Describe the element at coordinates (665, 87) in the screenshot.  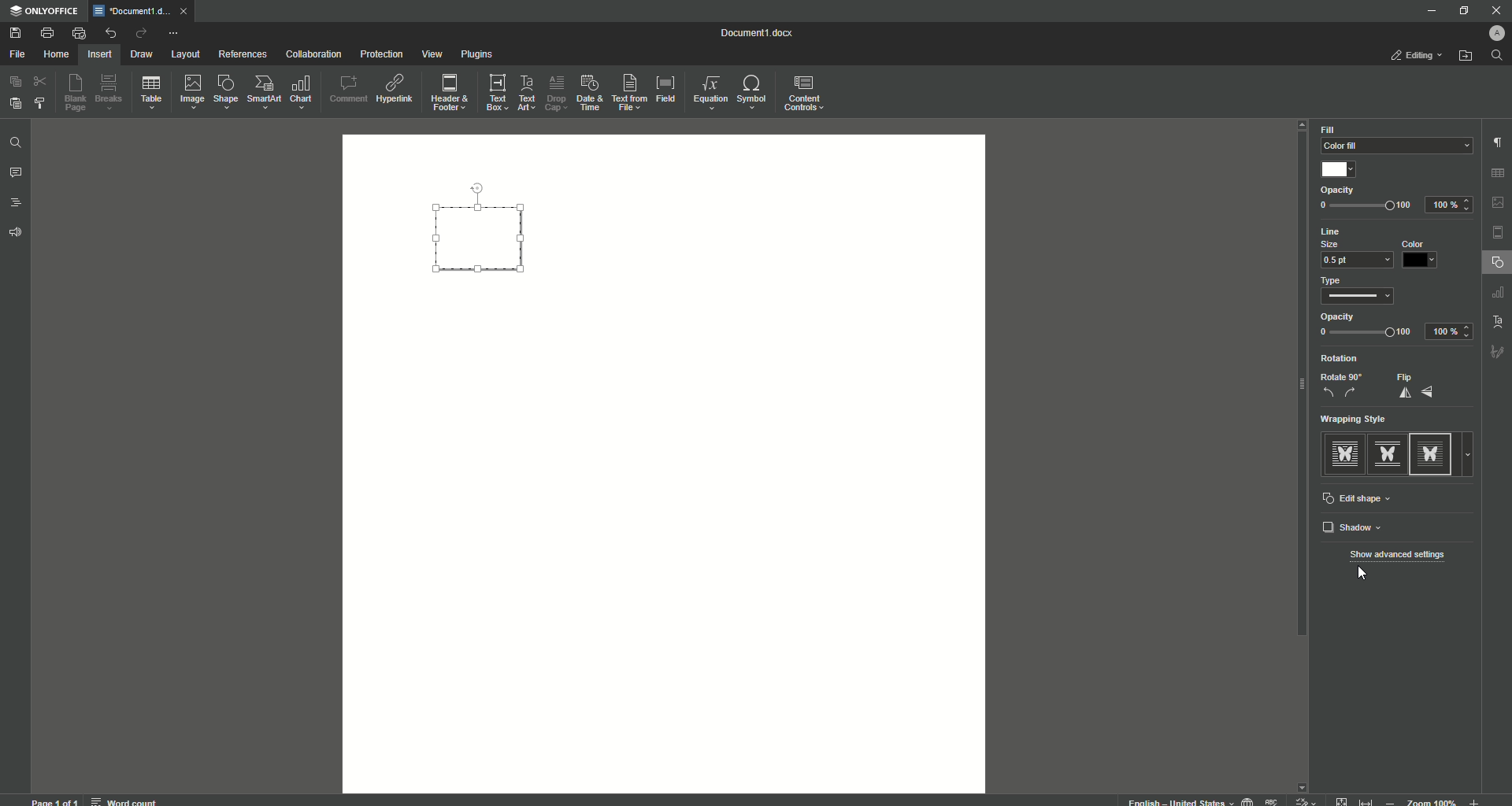
I see `Field` at that location.